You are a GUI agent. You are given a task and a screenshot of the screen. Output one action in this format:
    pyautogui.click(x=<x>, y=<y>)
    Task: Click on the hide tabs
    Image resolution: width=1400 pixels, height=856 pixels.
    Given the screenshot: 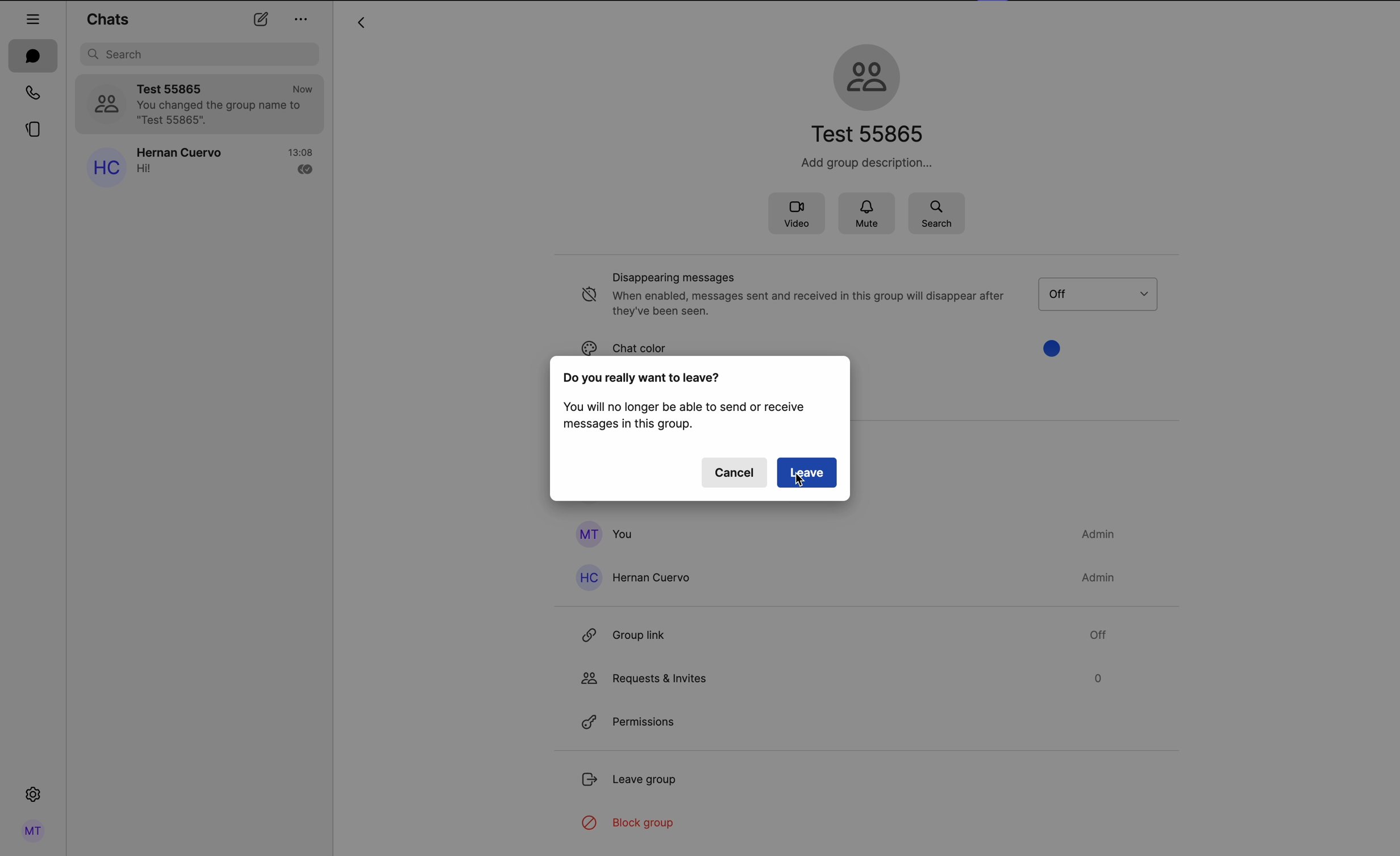 What is the action you would take?
    pyautogui.click(x=33, y=18)
    